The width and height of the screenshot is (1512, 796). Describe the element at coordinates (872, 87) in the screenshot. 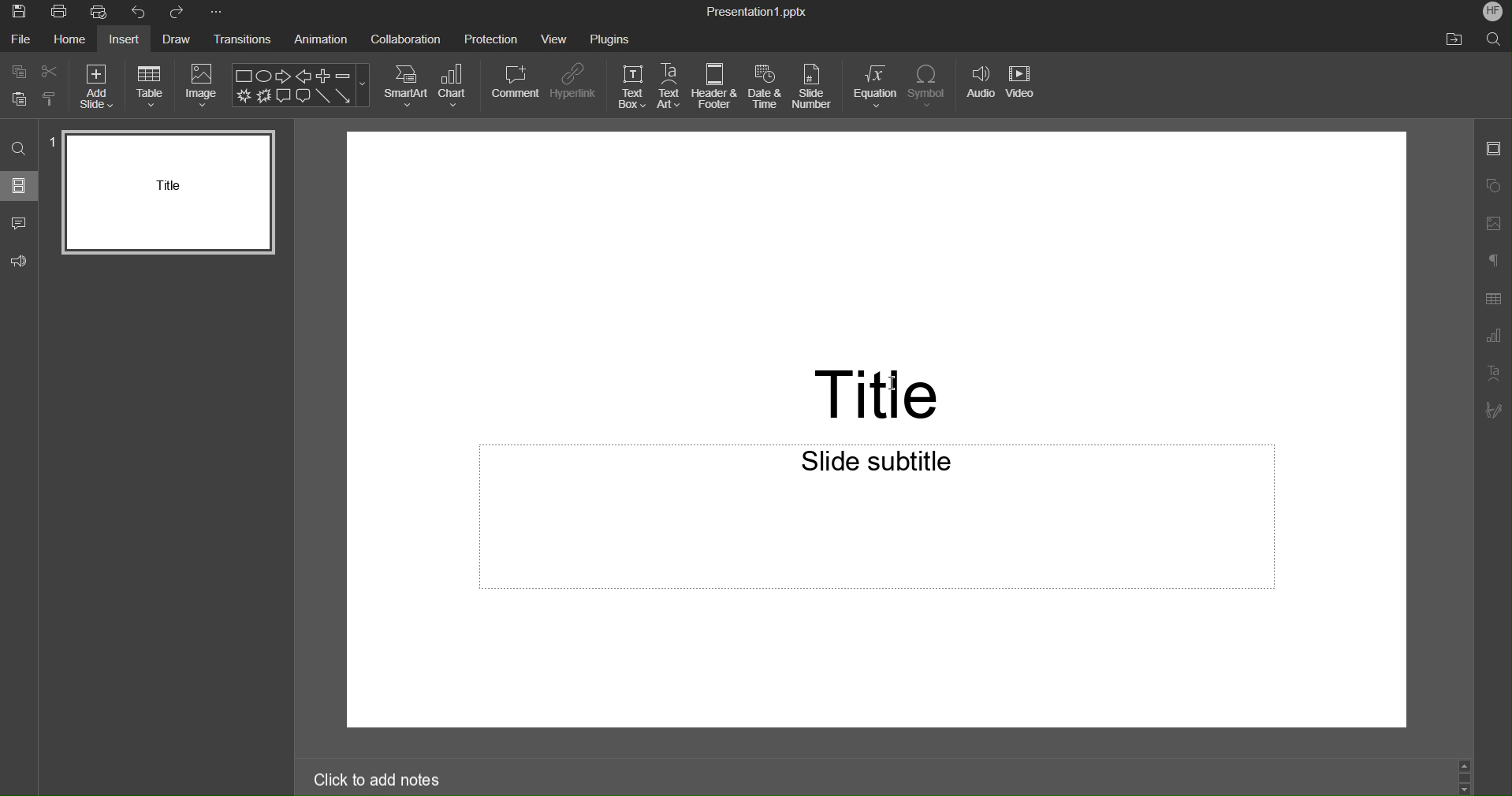

I see `Equation` at that location.